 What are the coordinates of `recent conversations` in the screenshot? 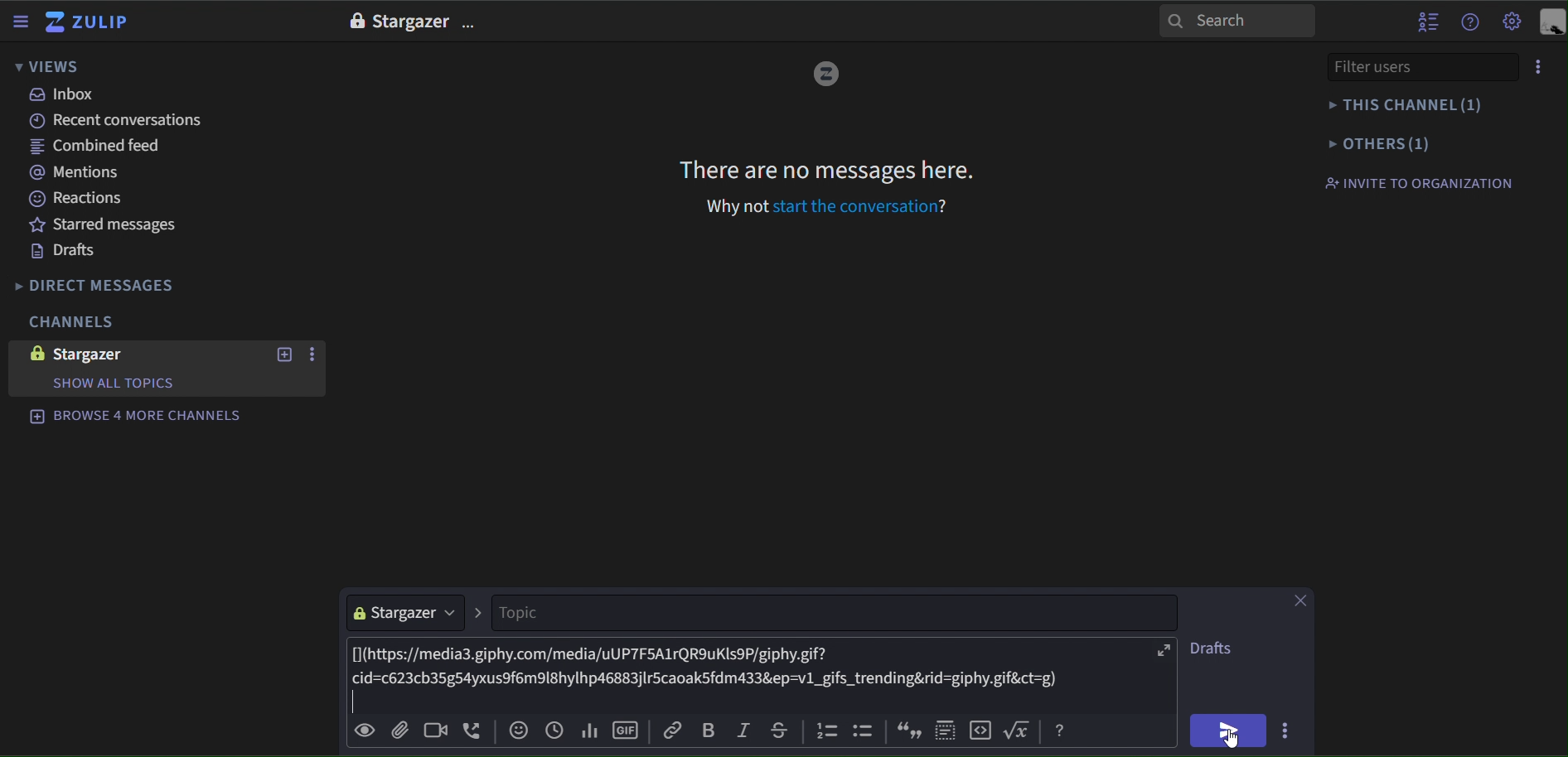 It's located at (123, 121).